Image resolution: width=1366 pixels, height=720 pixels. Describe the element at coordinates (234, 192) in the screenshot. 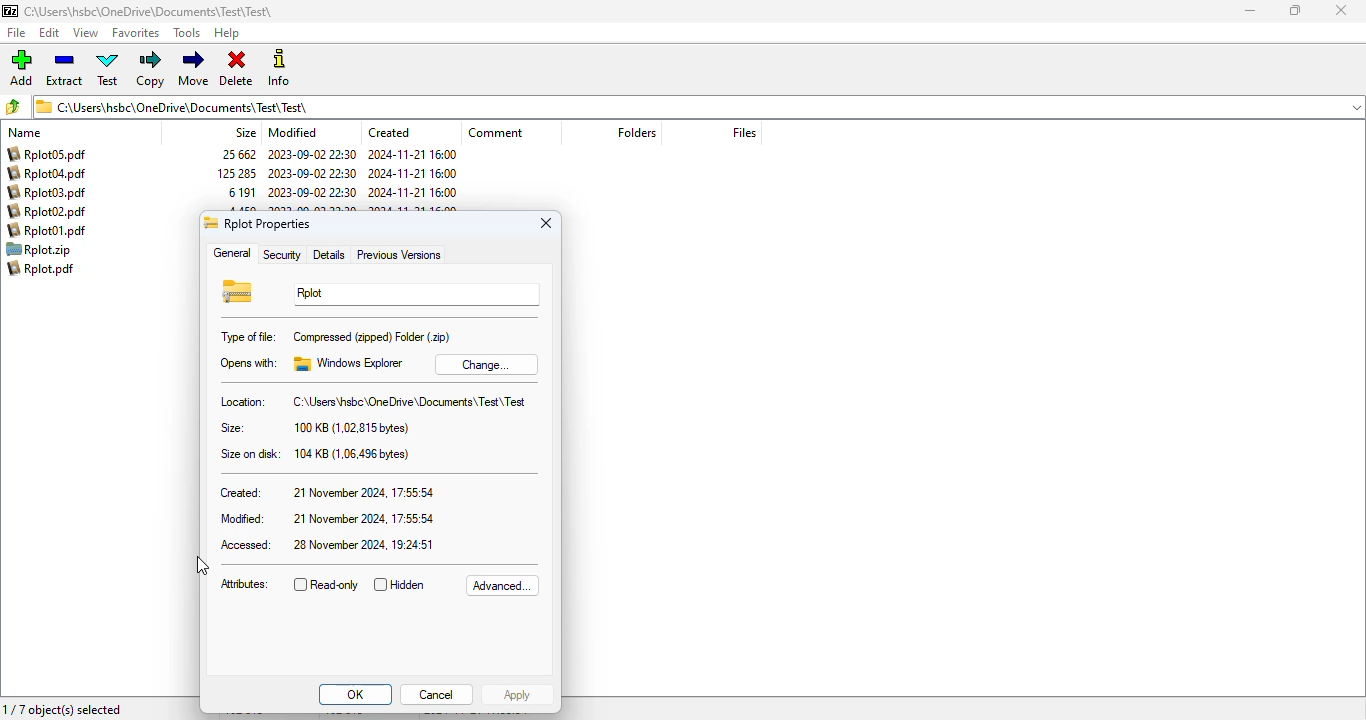

I see `Rplot03.pdf 6191 2023-09-02 22:30 2024-11-21 16:00` at that location.